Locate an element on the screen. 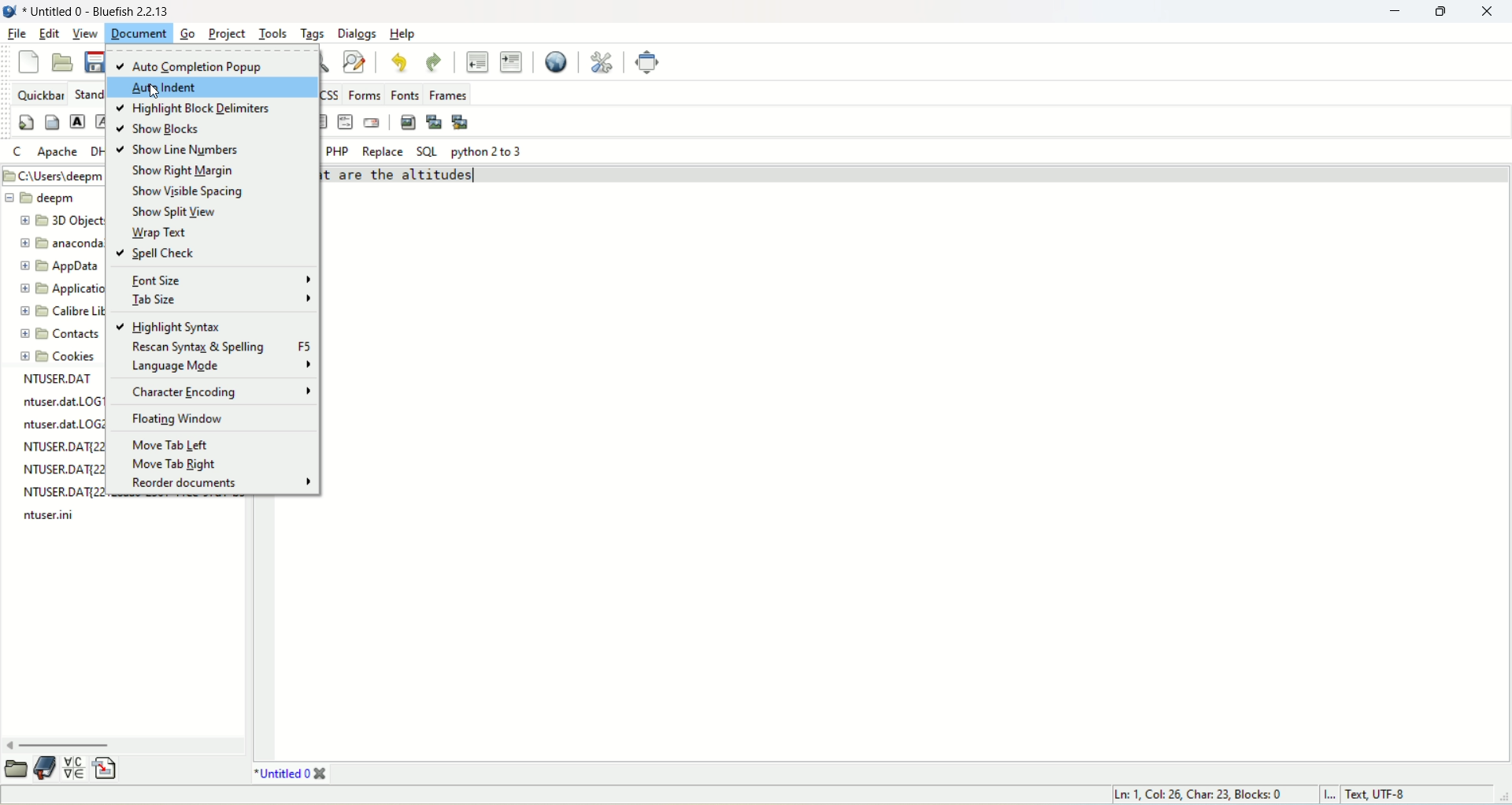  location is located at coordinates (53, 175).